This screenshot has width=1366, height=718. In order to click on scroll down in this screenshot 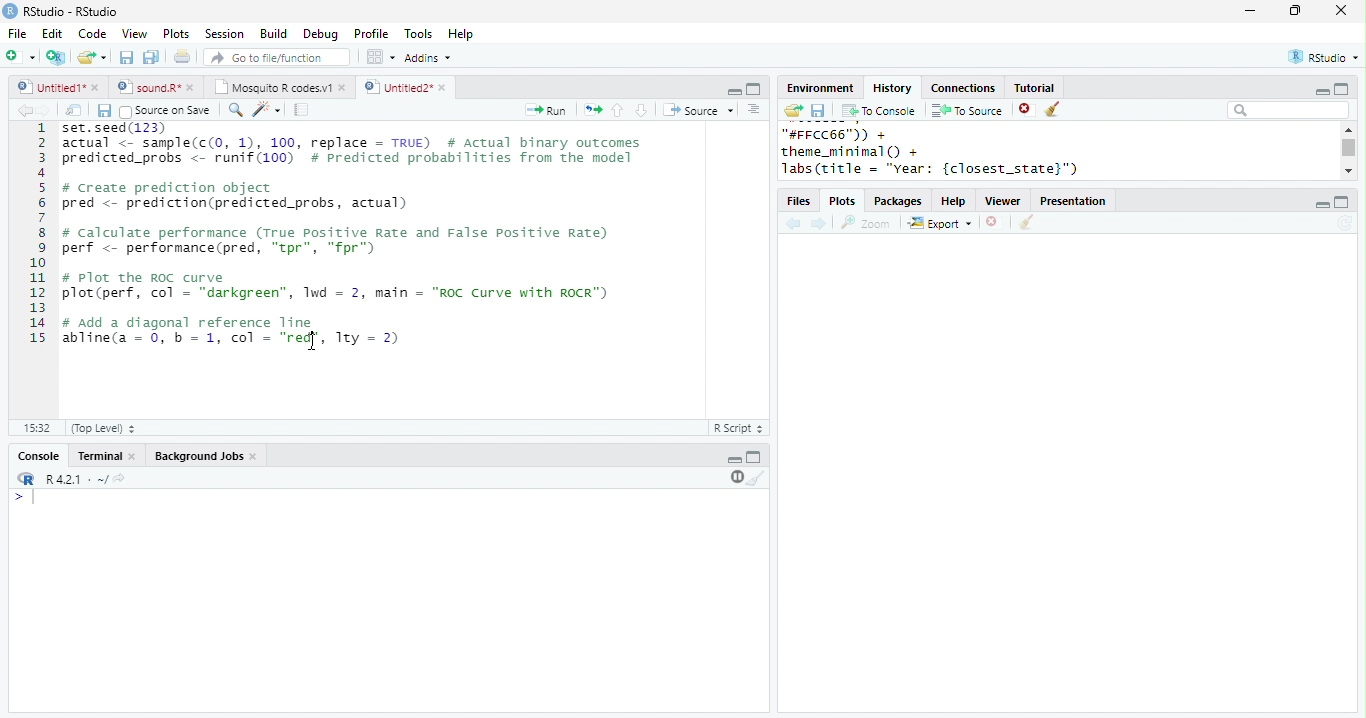, I will do `click(1348, 170)`.